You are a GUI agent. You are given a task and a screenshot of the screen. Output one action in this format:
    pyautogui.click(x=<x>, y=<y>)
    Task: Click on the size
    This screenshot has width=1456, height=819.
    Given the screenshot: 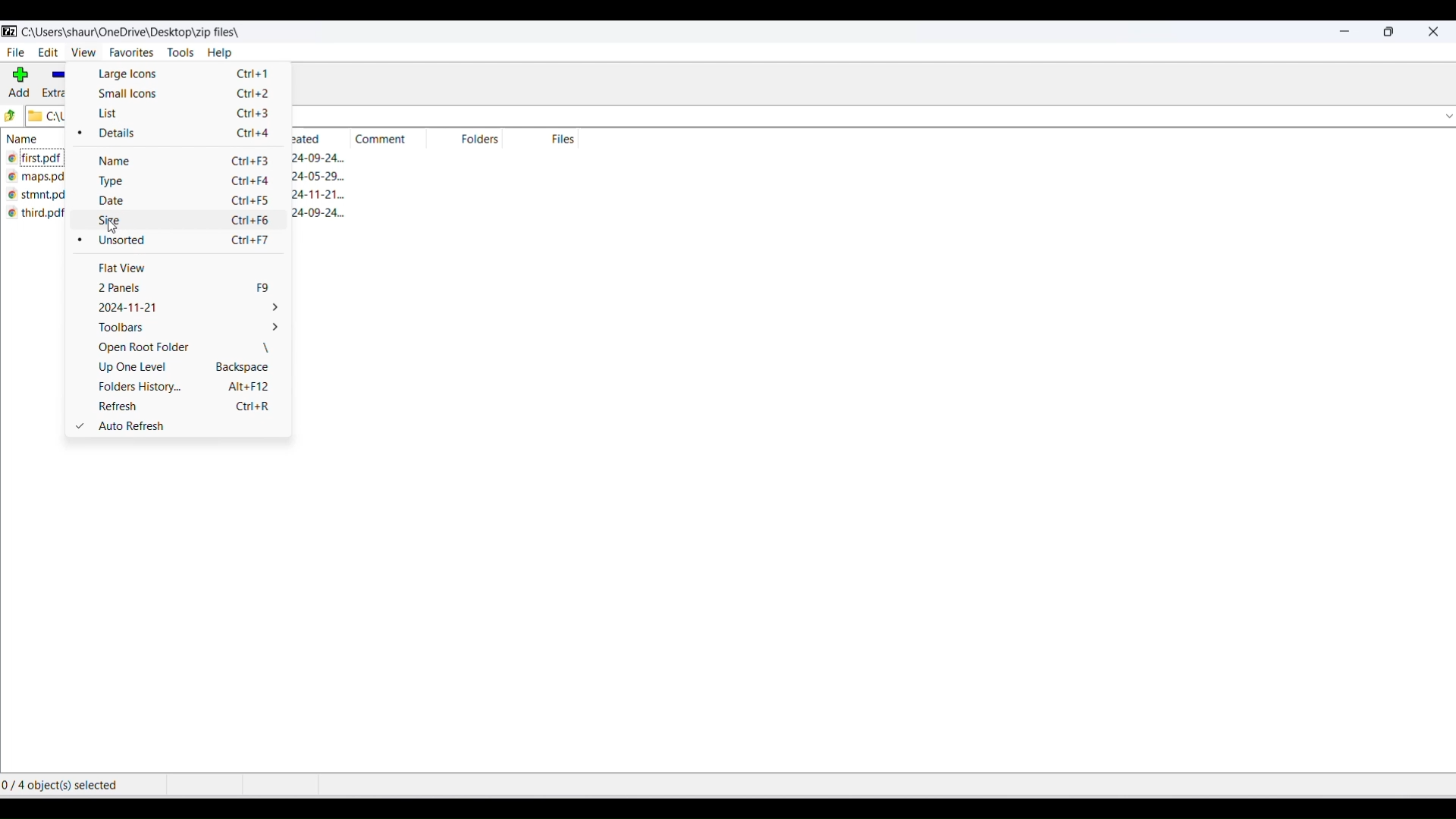 What is the action you would take?
    pyautogui.click(x=187, y=224)
    